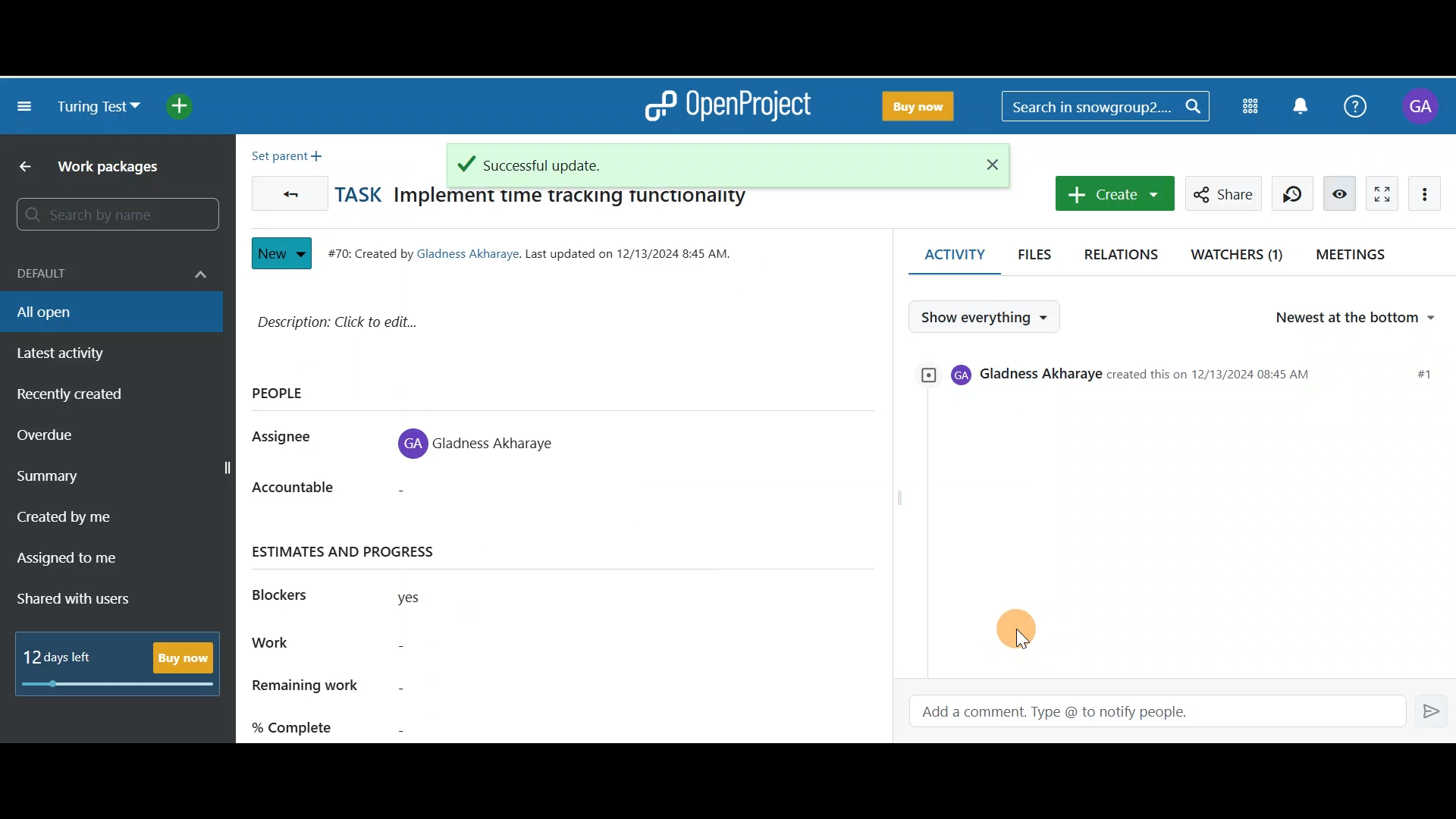 Image resolution: width=1456 pixels, height=819 pixels. Describe the element at coordinates (1429, 192) in the screenshot. I see `More` at that location.